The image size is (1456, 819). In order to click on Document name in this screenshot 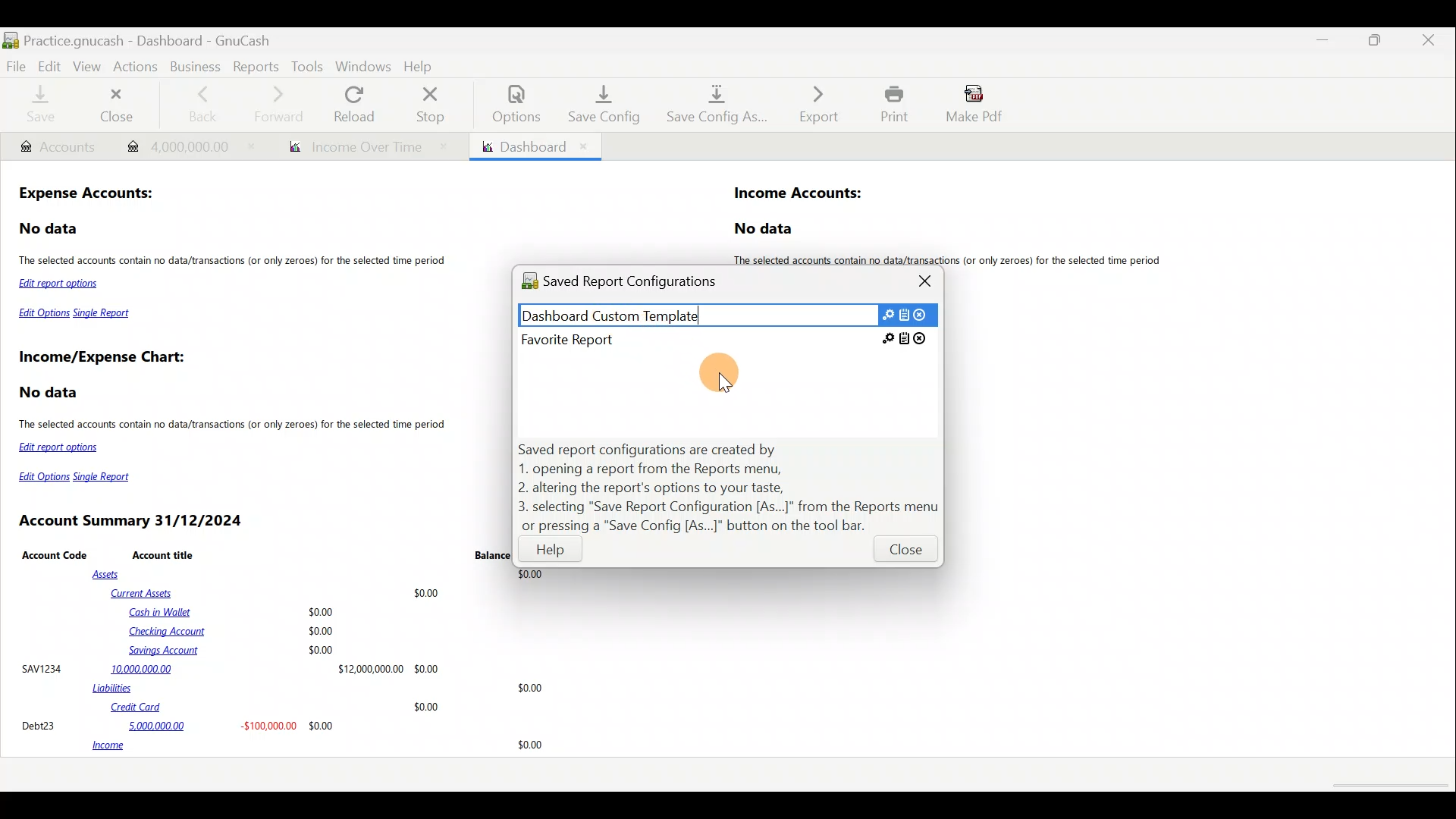, I will do `click(169, 36)`.